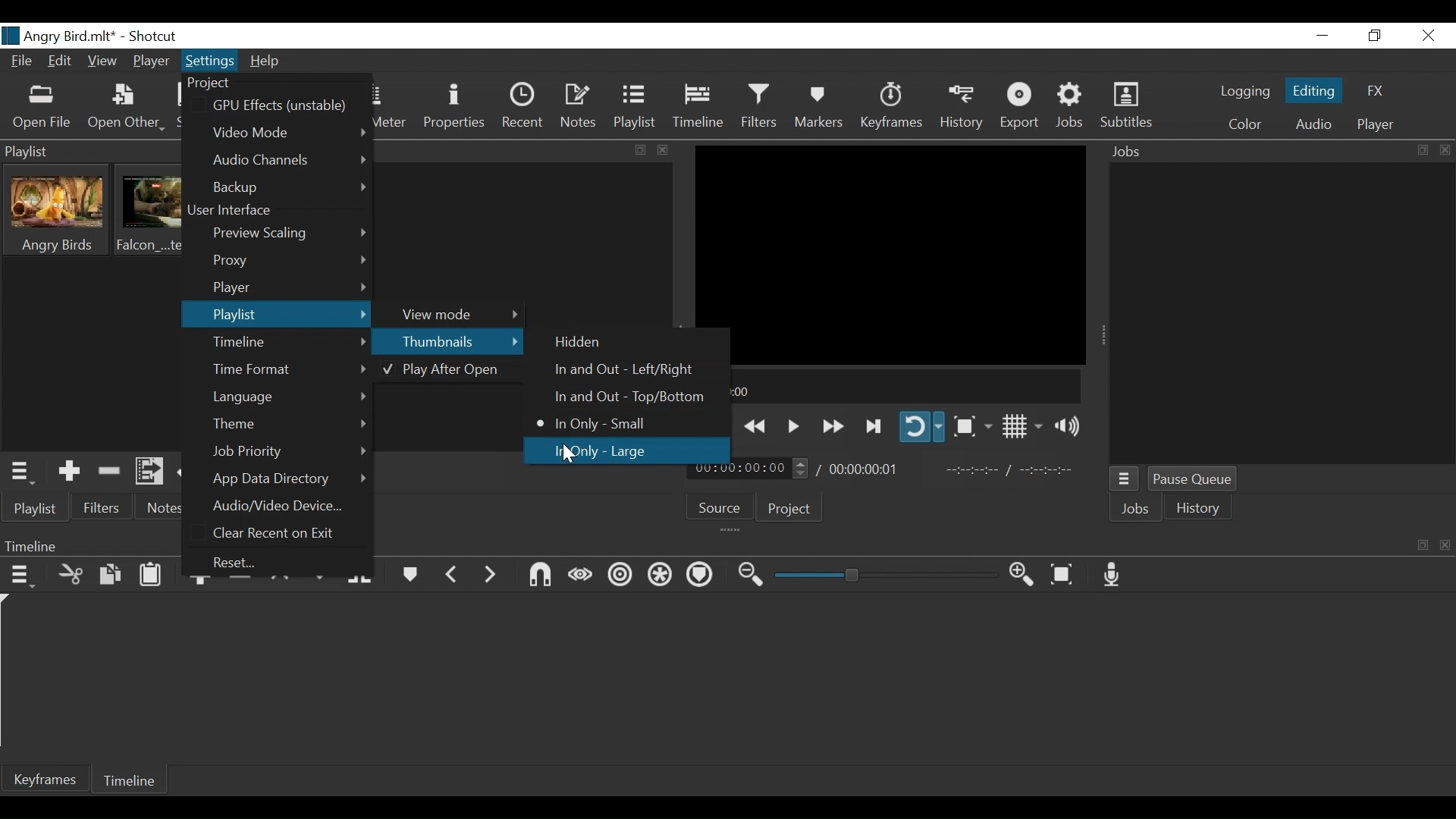  Describe the element at coordinates (227, 83) in the screenshot. I see `Project` at that location.